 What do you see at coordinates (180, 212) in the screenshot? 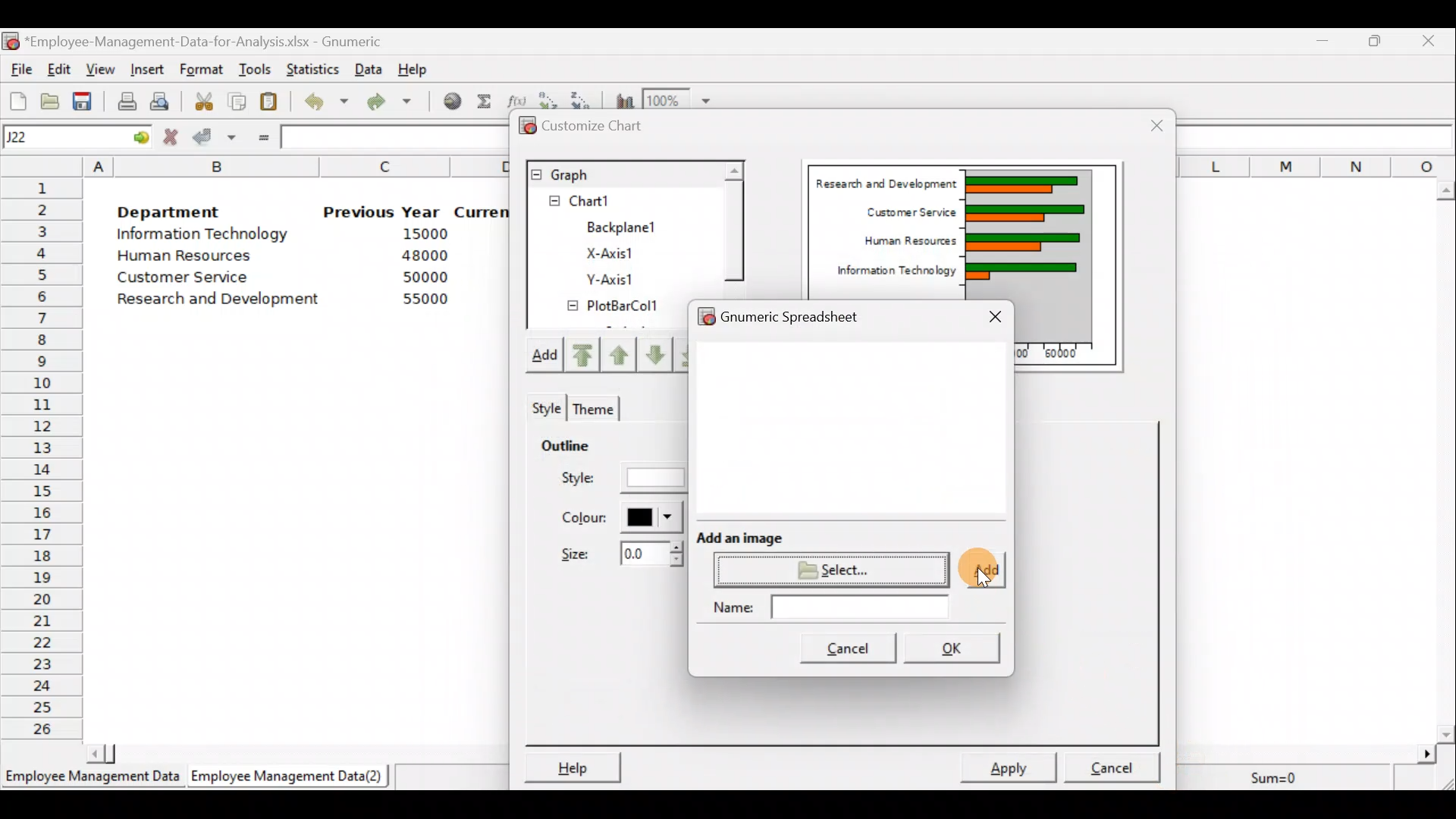
I see `Department` at bounding box center [180, 212].